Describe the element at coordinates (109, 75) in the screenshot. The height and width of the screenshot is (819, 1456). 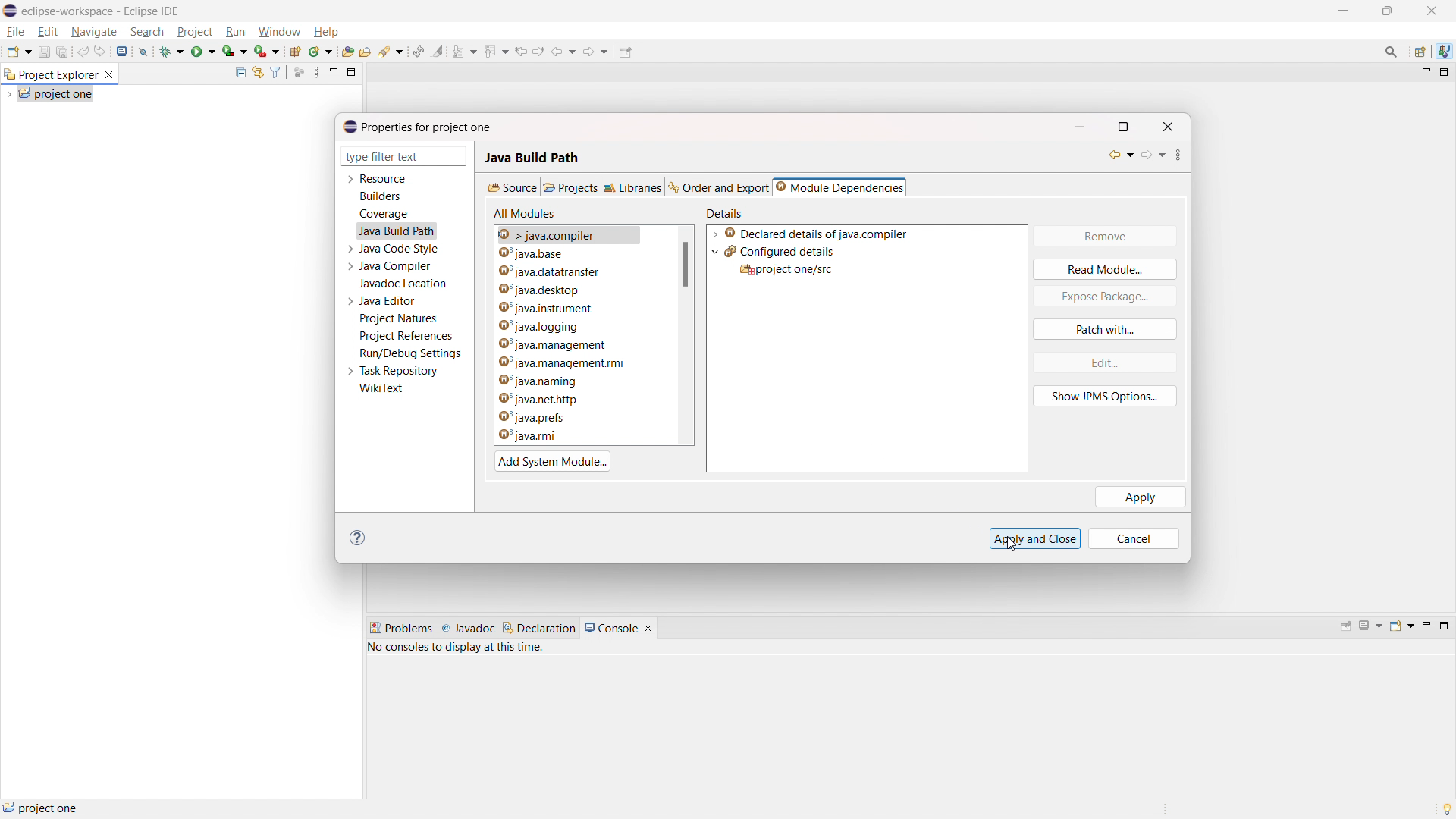
I see `close project explorer` at that location.